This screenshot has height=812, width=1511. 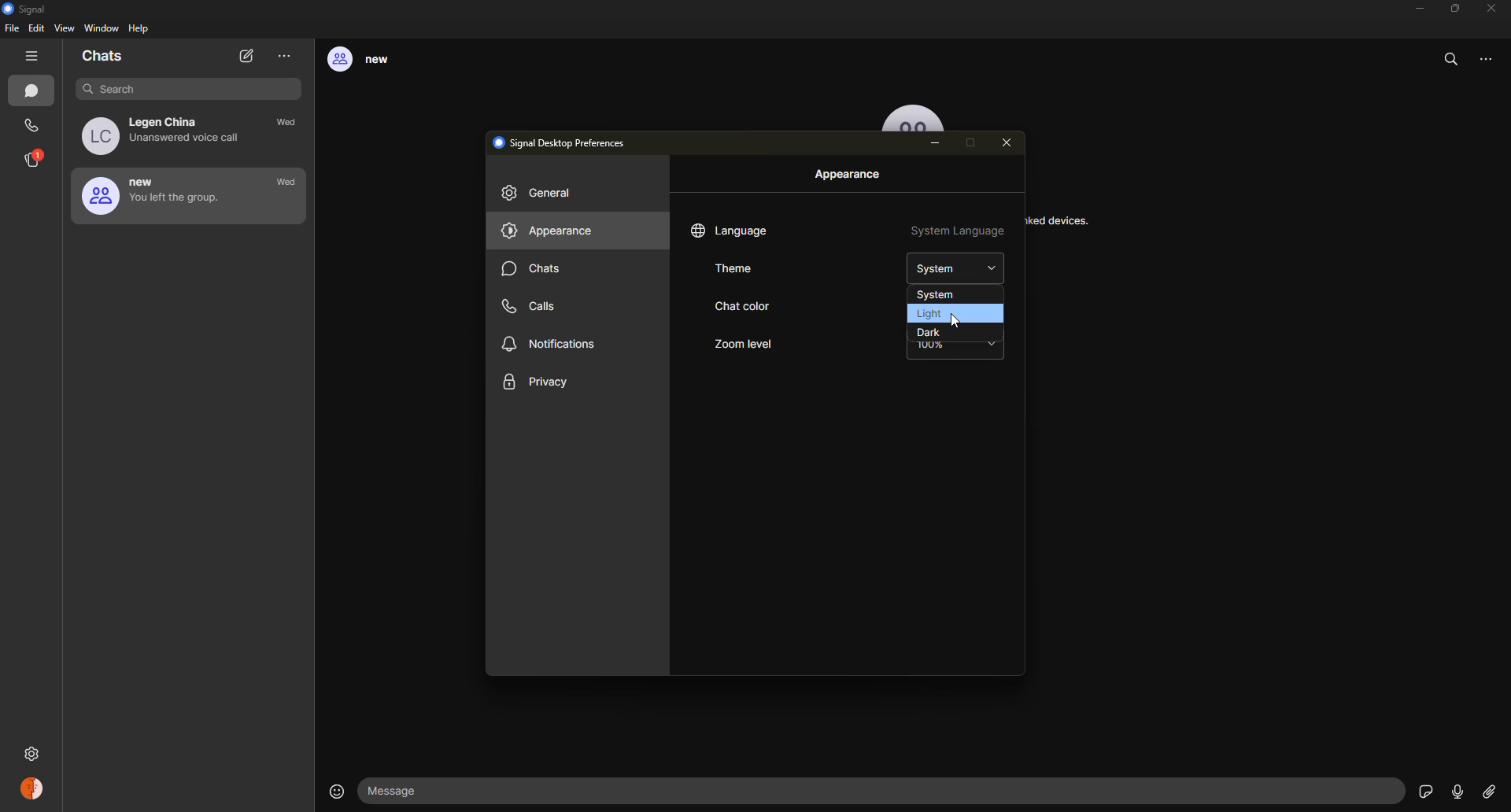 I want to click on close, so click(x=1010, y=143).